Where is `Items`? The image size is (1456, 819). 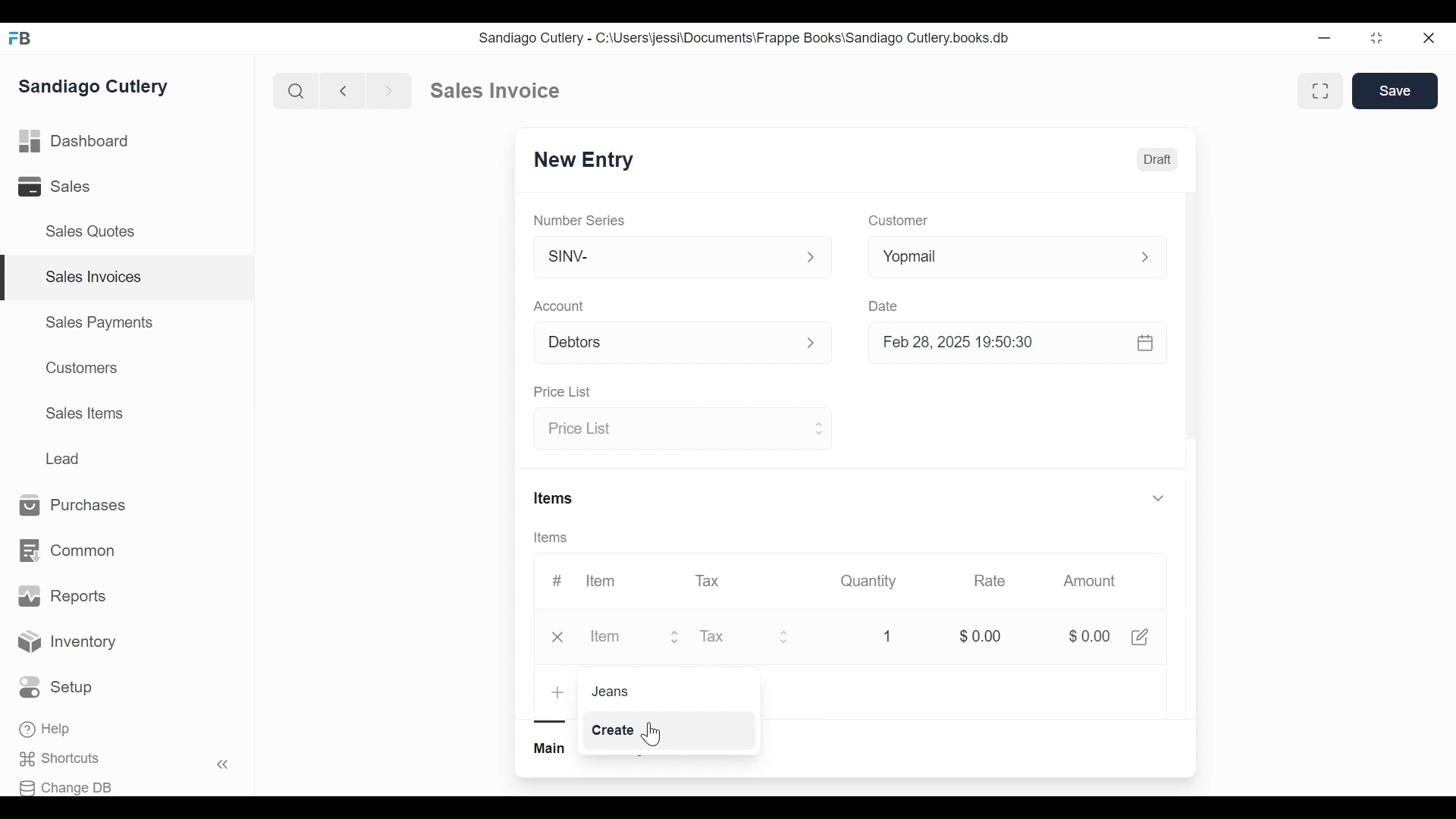
Items is located at coordinates (552, 538).